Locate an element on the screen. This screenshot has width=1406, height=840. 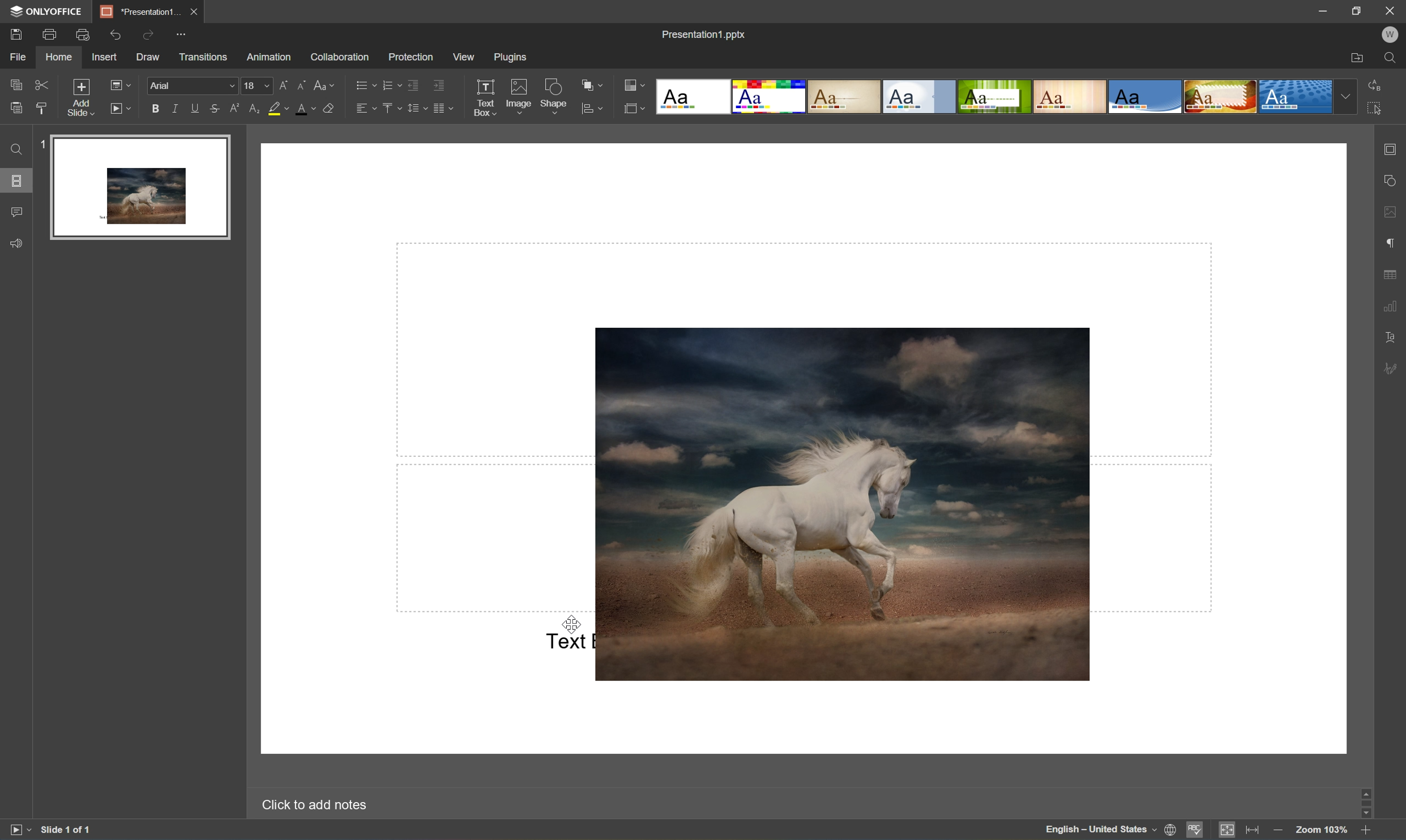
Bullets is located at coordinates (364, 85).